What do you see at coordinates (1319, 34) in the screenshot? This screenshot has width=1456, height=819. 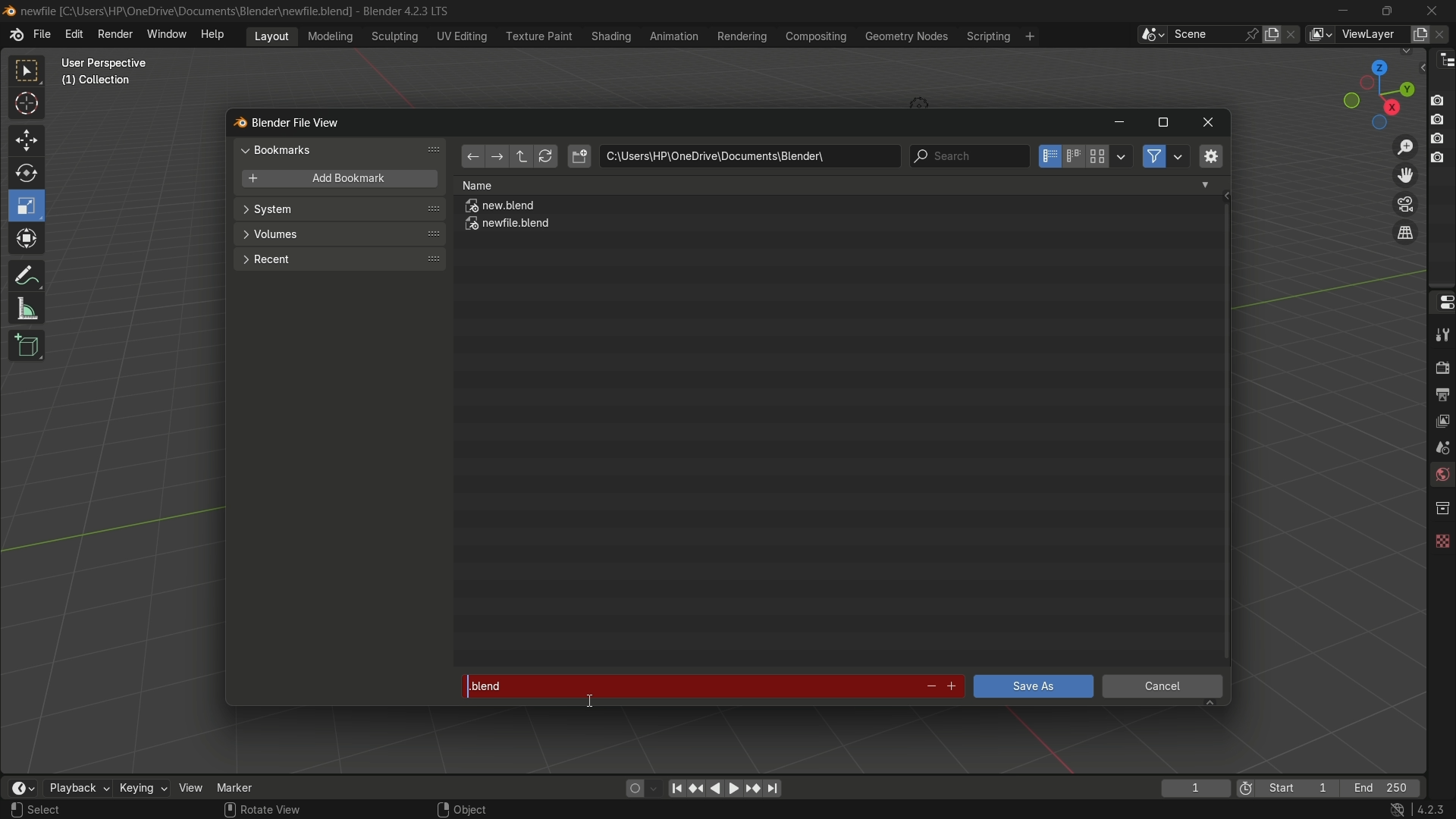 I see `view layer` at bounding box center [1319, 34].